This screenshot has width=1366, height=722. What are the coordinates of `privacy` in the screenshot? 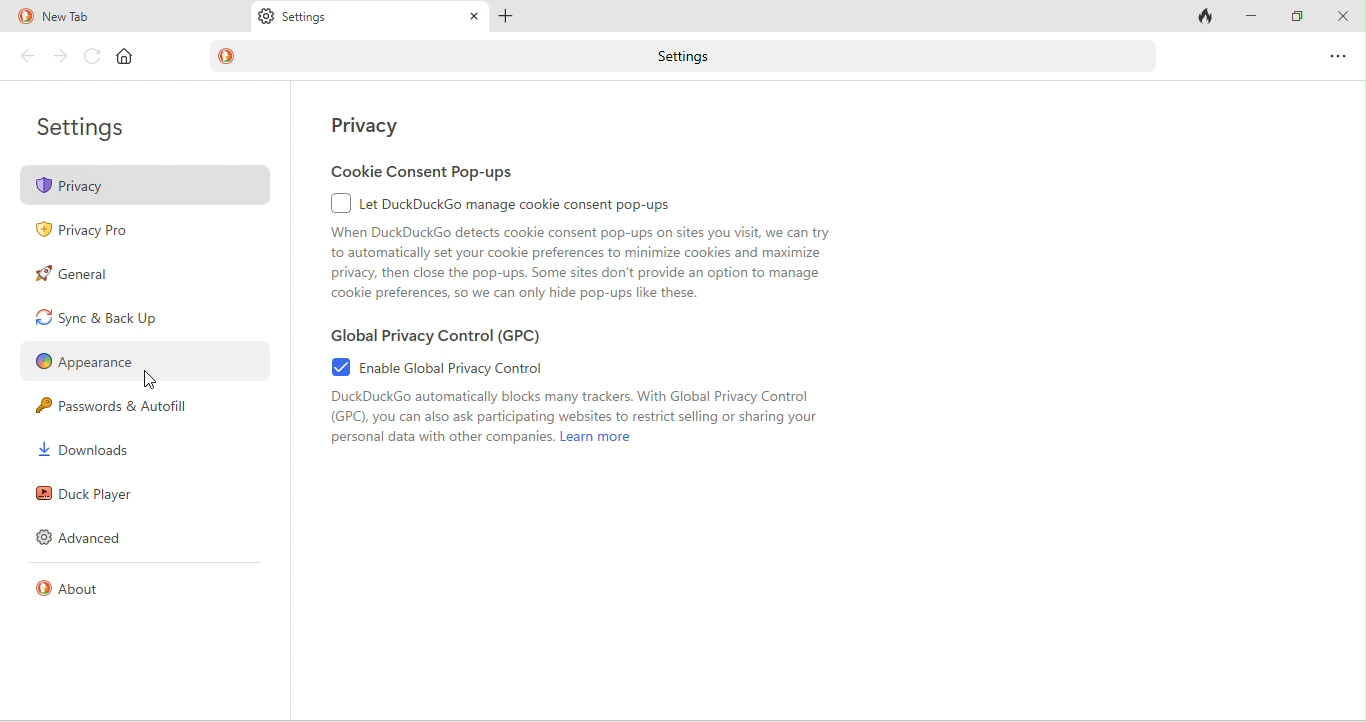 It's located at (147, 186).